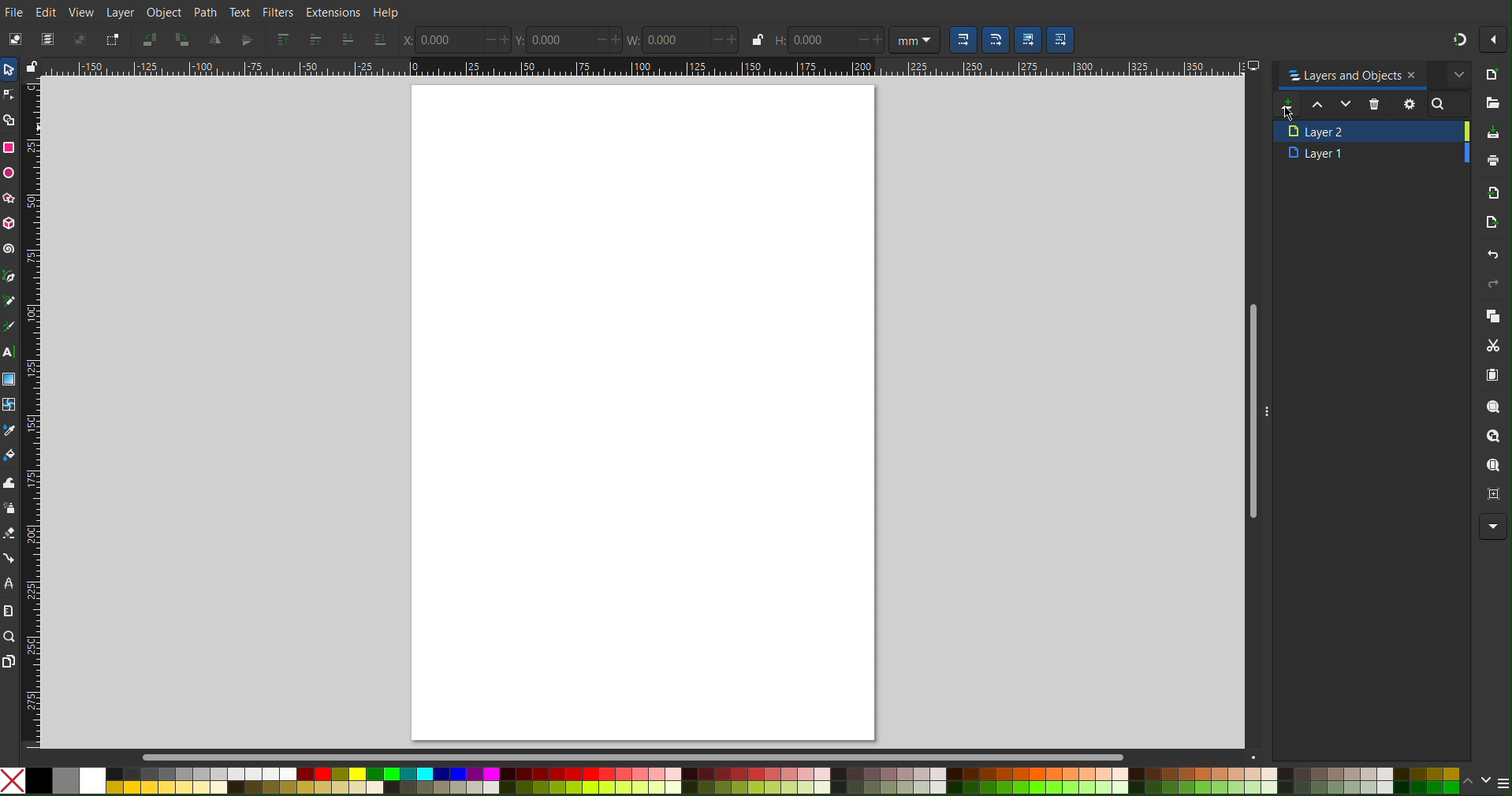 Image resolution: width=1512 pixels, height=796 pixels. Describe the element at coordinates (13, 69) in the screenshot. I see `Select` at that location.